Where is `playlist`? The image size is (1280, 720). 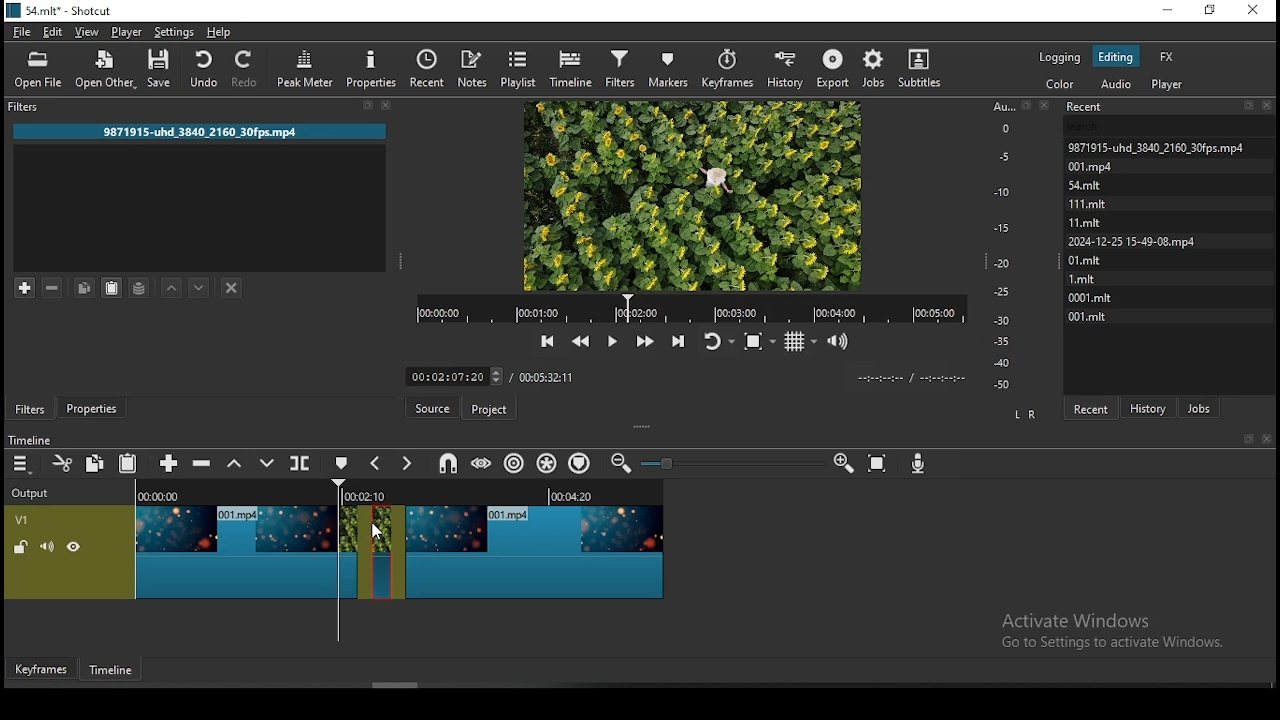
playlist is located at coordinates (516, 67).